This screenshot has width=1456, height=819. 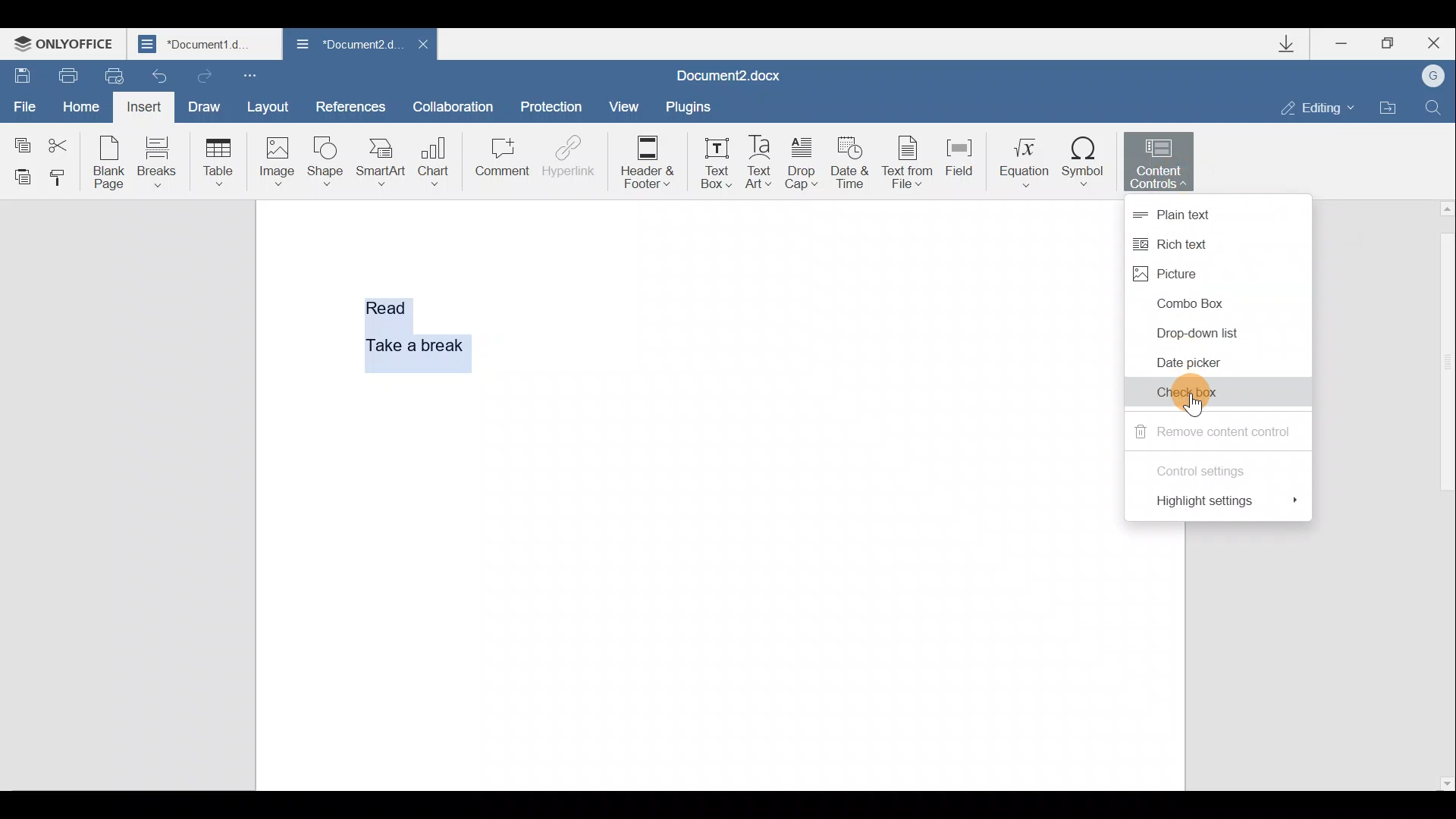 I want to click on Combo box, so click(x=1192, y=302).